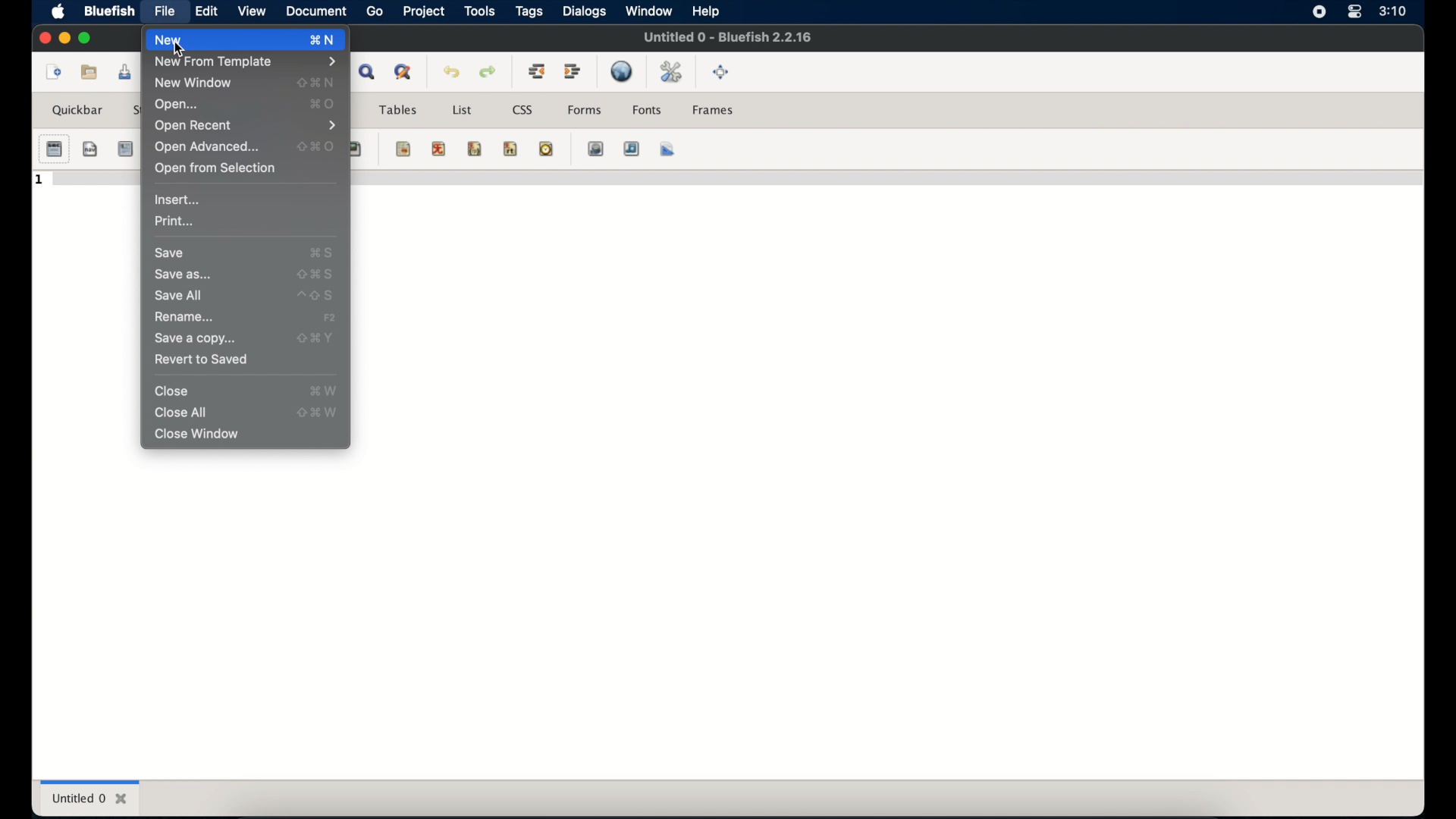 The image size is (1456, 819). I want to click on save, so click(171, 253).